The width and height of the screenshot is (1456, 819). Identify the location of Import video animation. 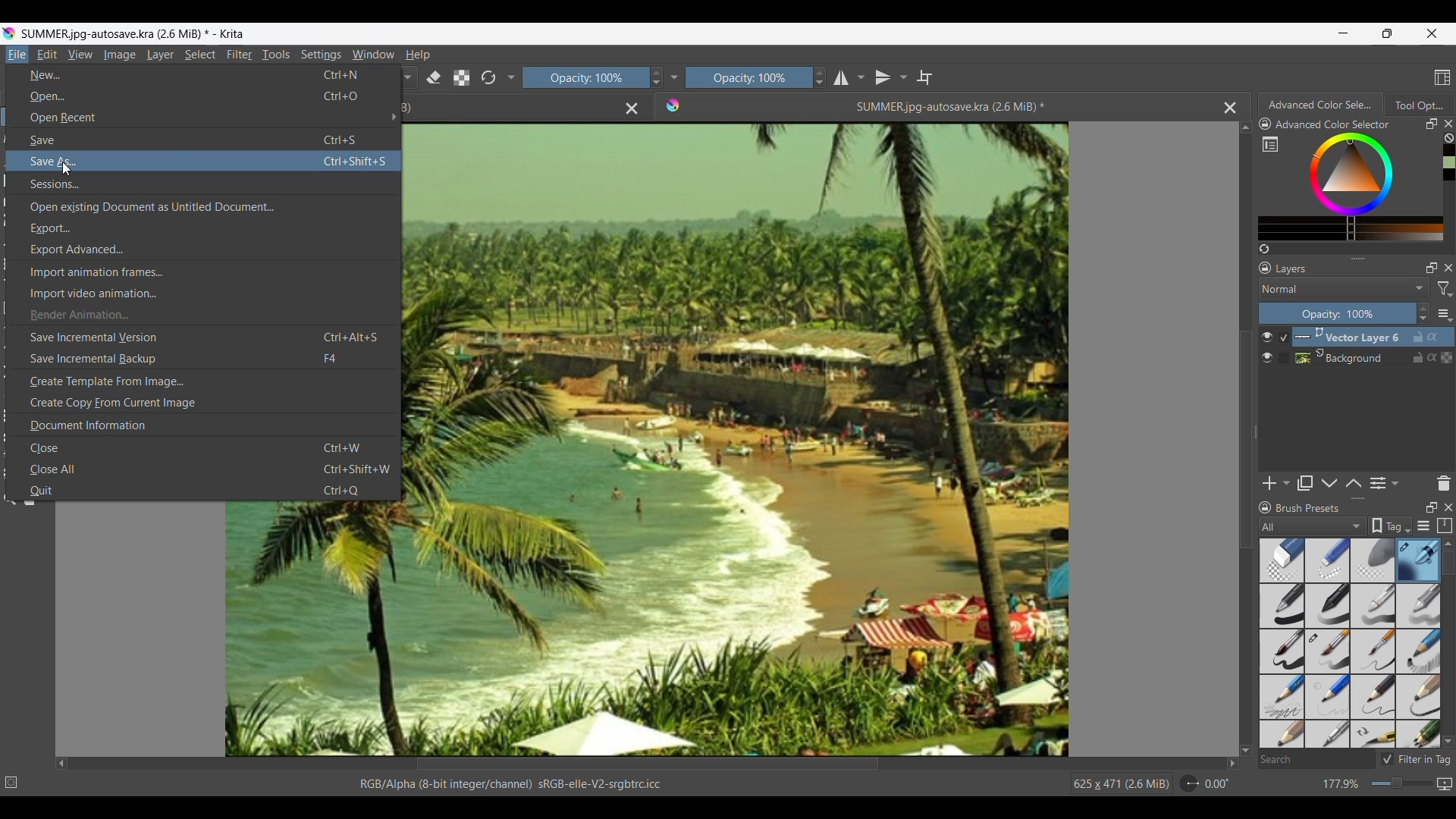
(205, 293).